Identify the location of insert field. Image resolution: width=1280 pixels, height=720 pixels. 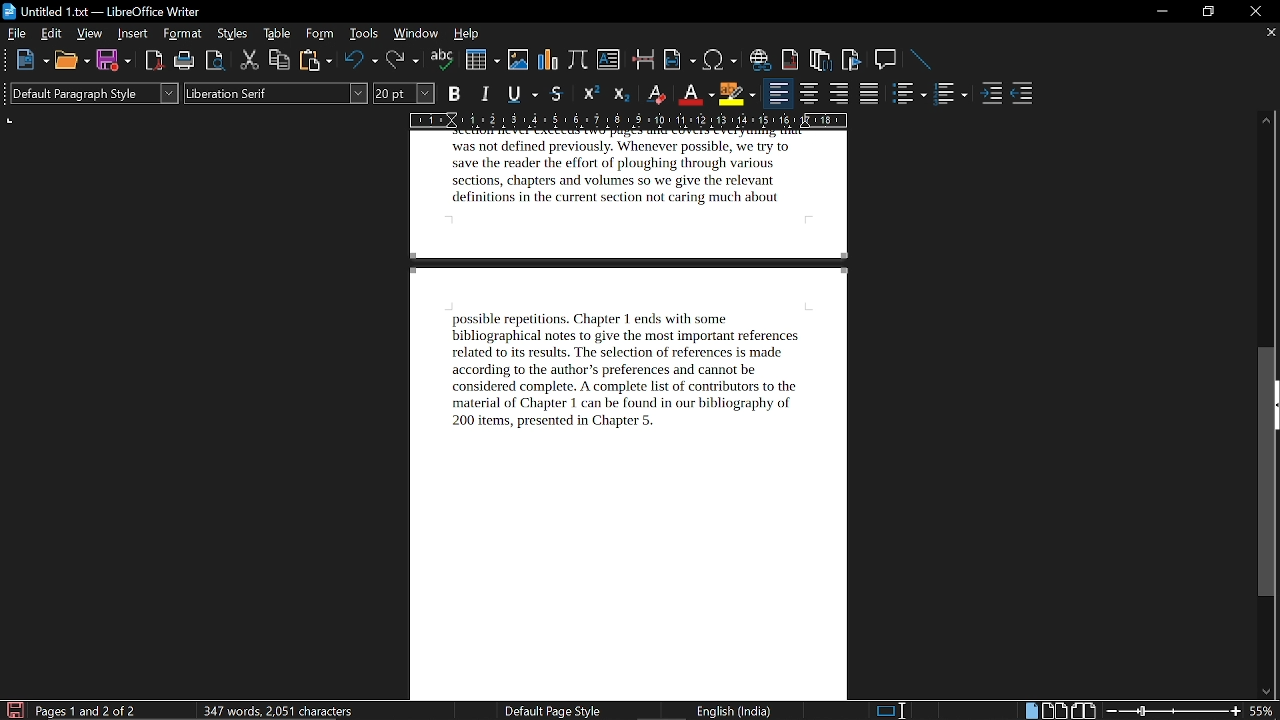
(681, 60).